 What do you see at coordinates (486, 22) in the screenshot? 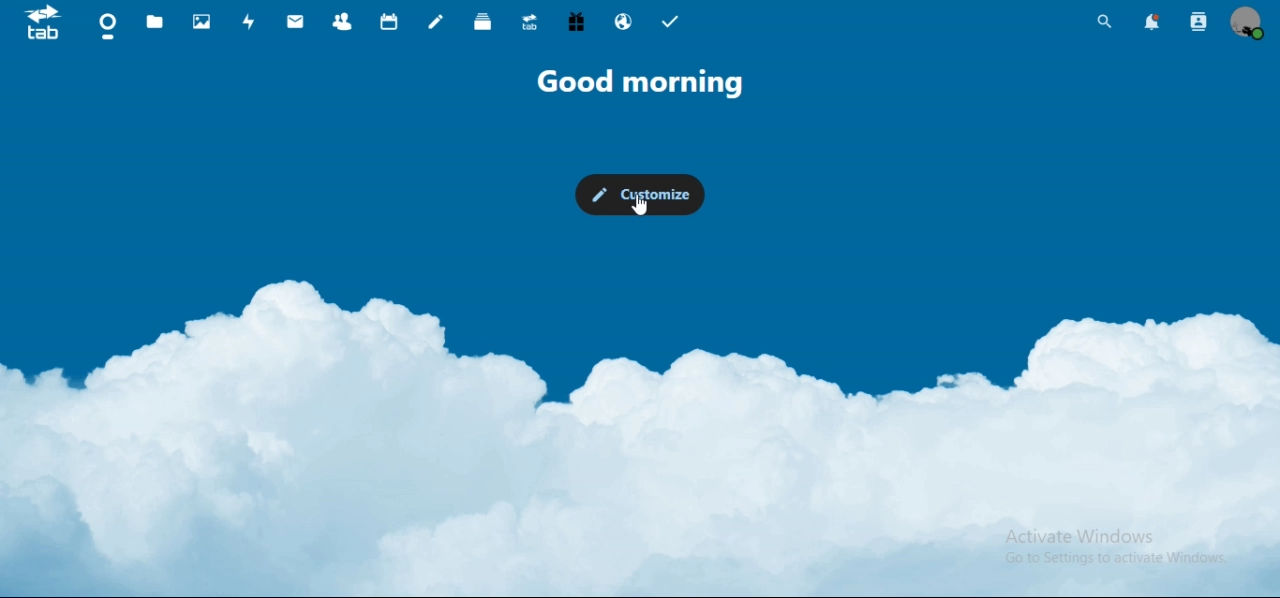
I see `deck` at bounding box center [486, 22].